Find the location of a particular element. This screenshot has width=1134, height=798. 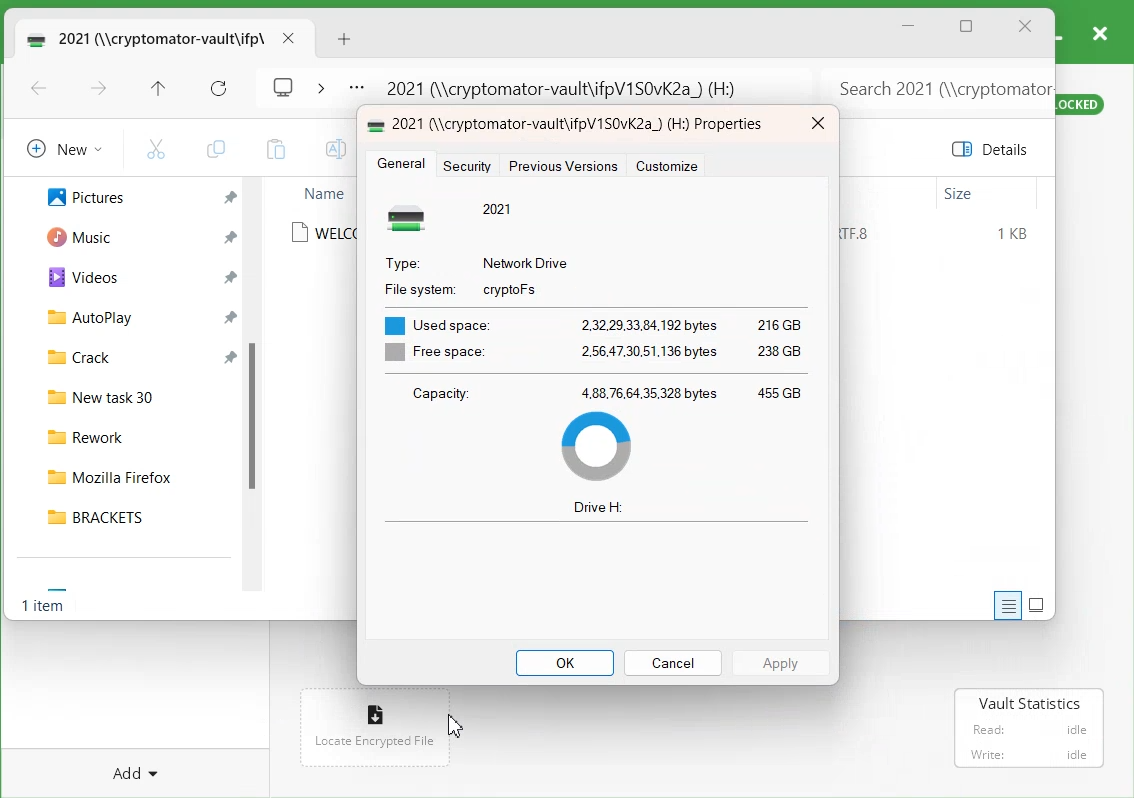

Pictures is located at coordinates (75, 195).